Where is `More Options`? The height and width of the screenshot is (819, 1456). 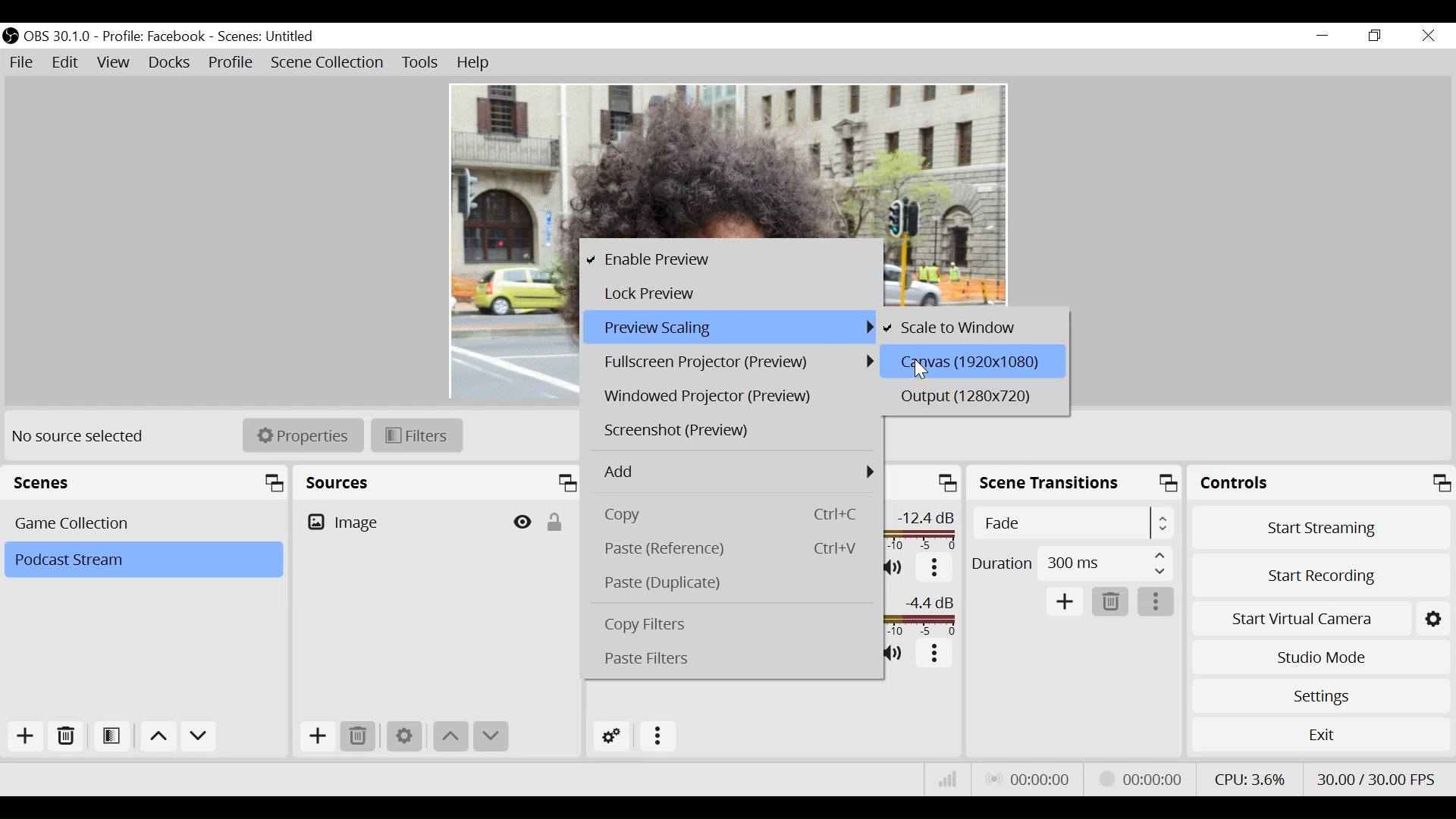 More Options is located at coordinates (658, 737).